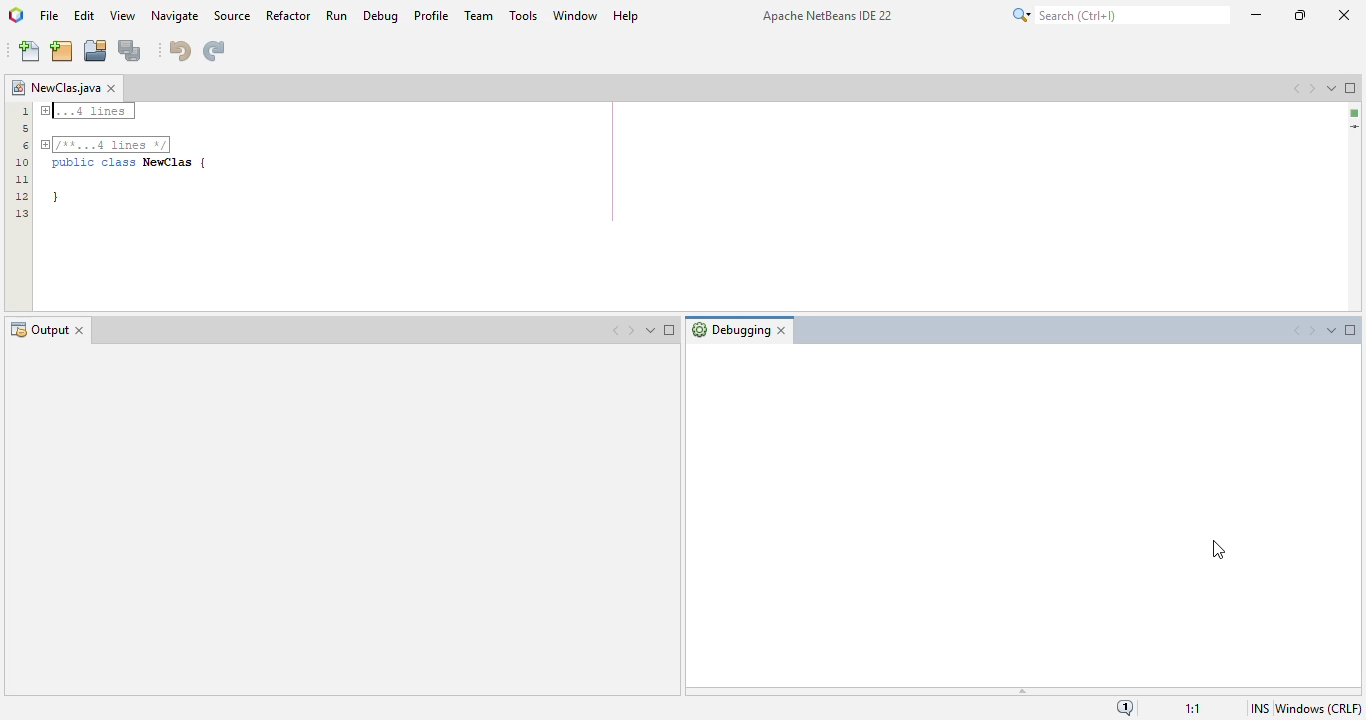 This screenshot has width=1366, height=720. What do you see at coordinates (1256, 15) in the screenshot?
I see `minimize` at bounding box center [1256, 15].